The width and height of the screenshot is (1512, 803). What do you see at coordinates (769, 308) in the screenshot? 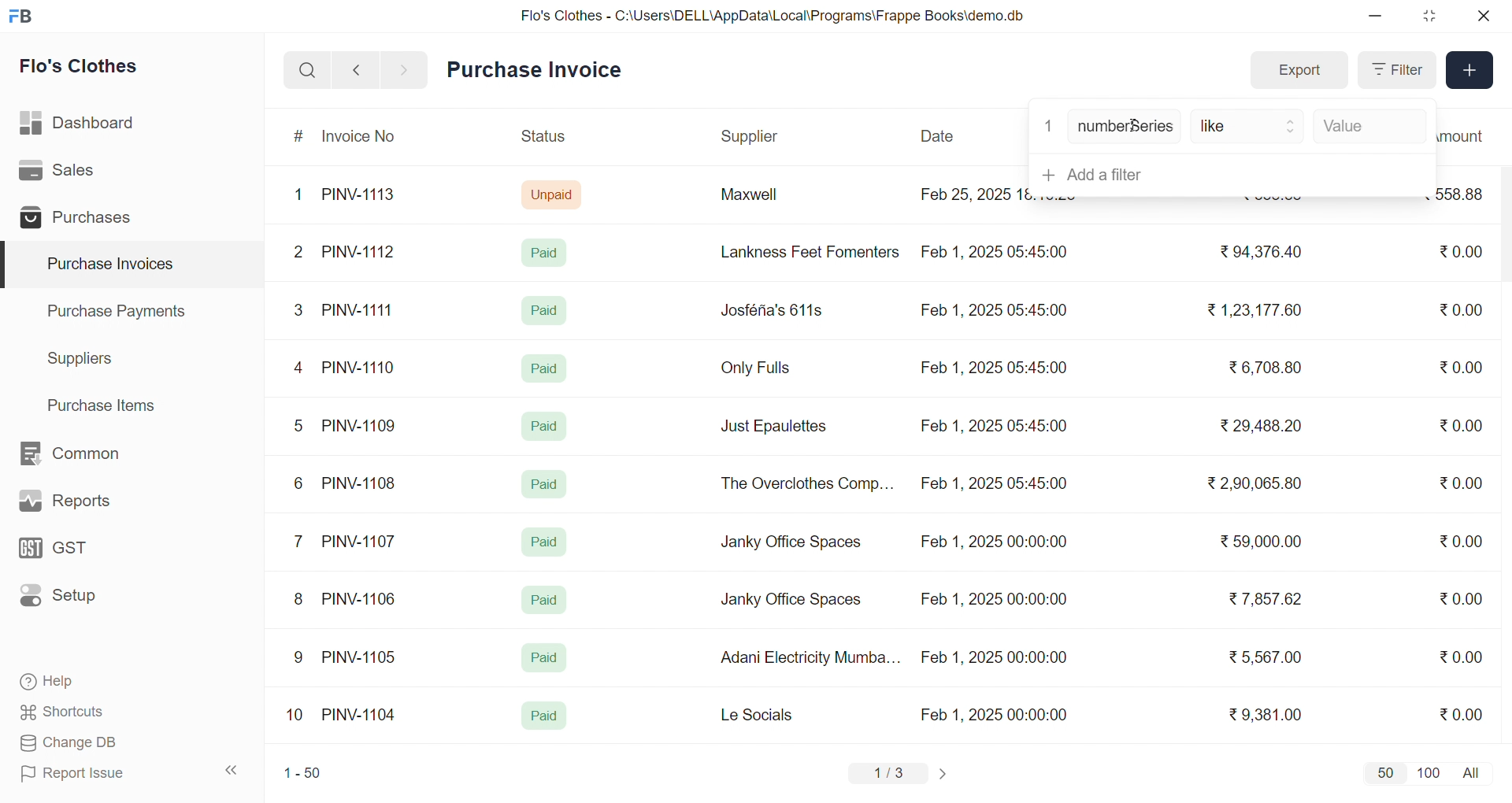
I see `Josféria's 611s` at bounding box center [769, 308].